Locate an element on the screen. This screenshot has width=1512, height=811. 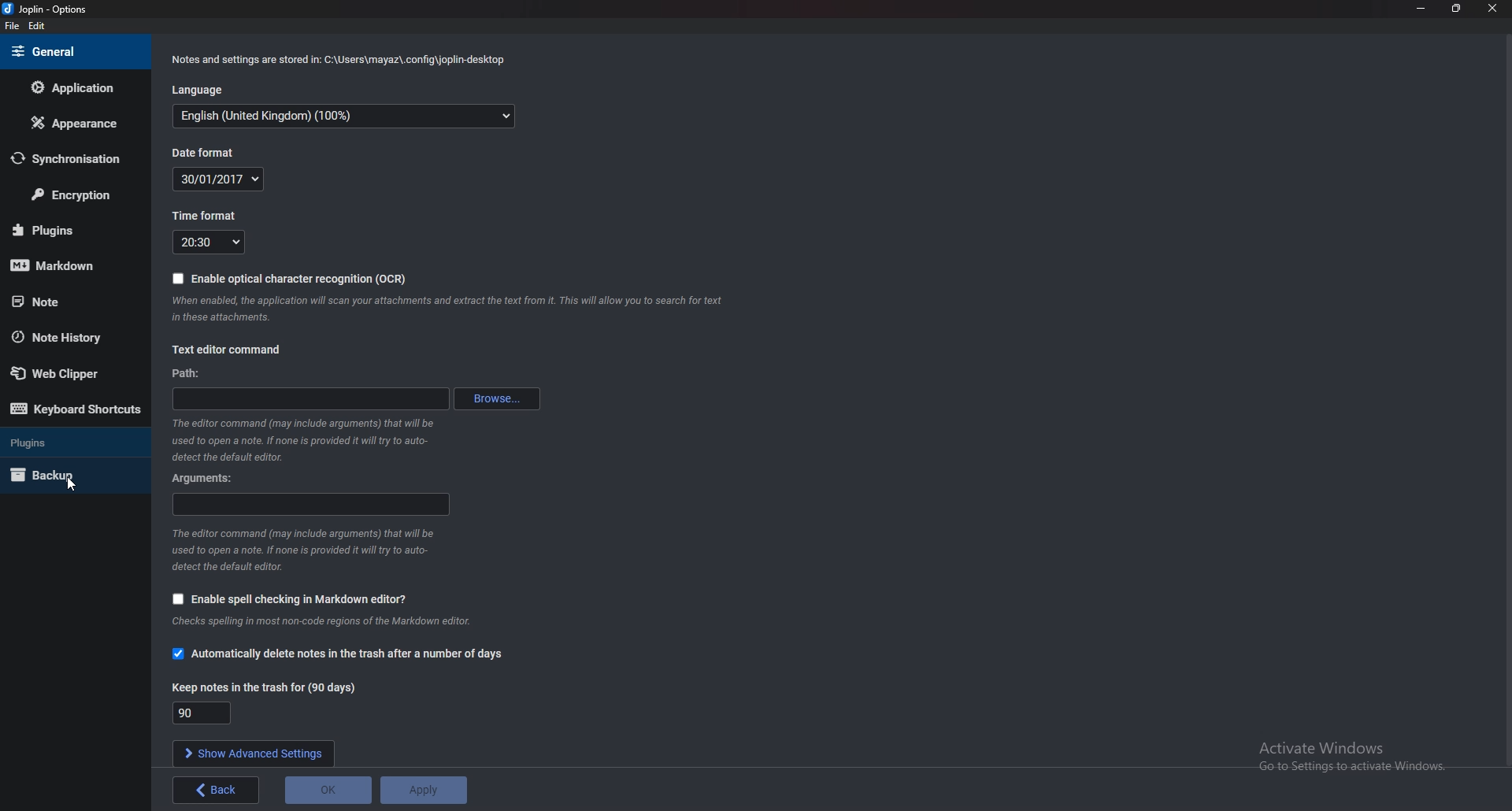
Language is located at coordinates (346, 117).